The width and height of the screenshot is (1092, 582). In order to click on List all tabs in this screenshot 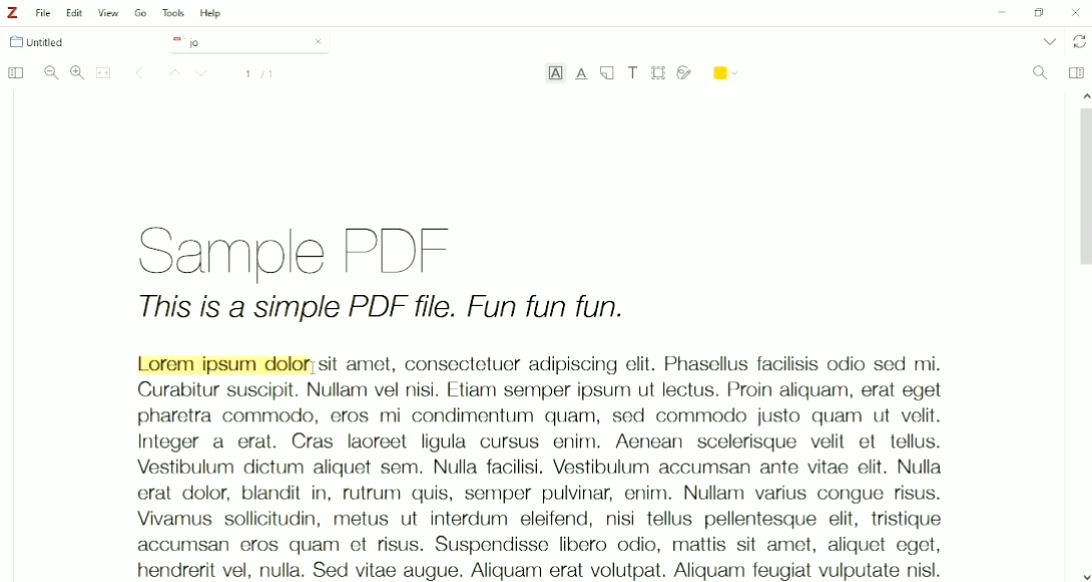, I will do `click(1048, 41)`.